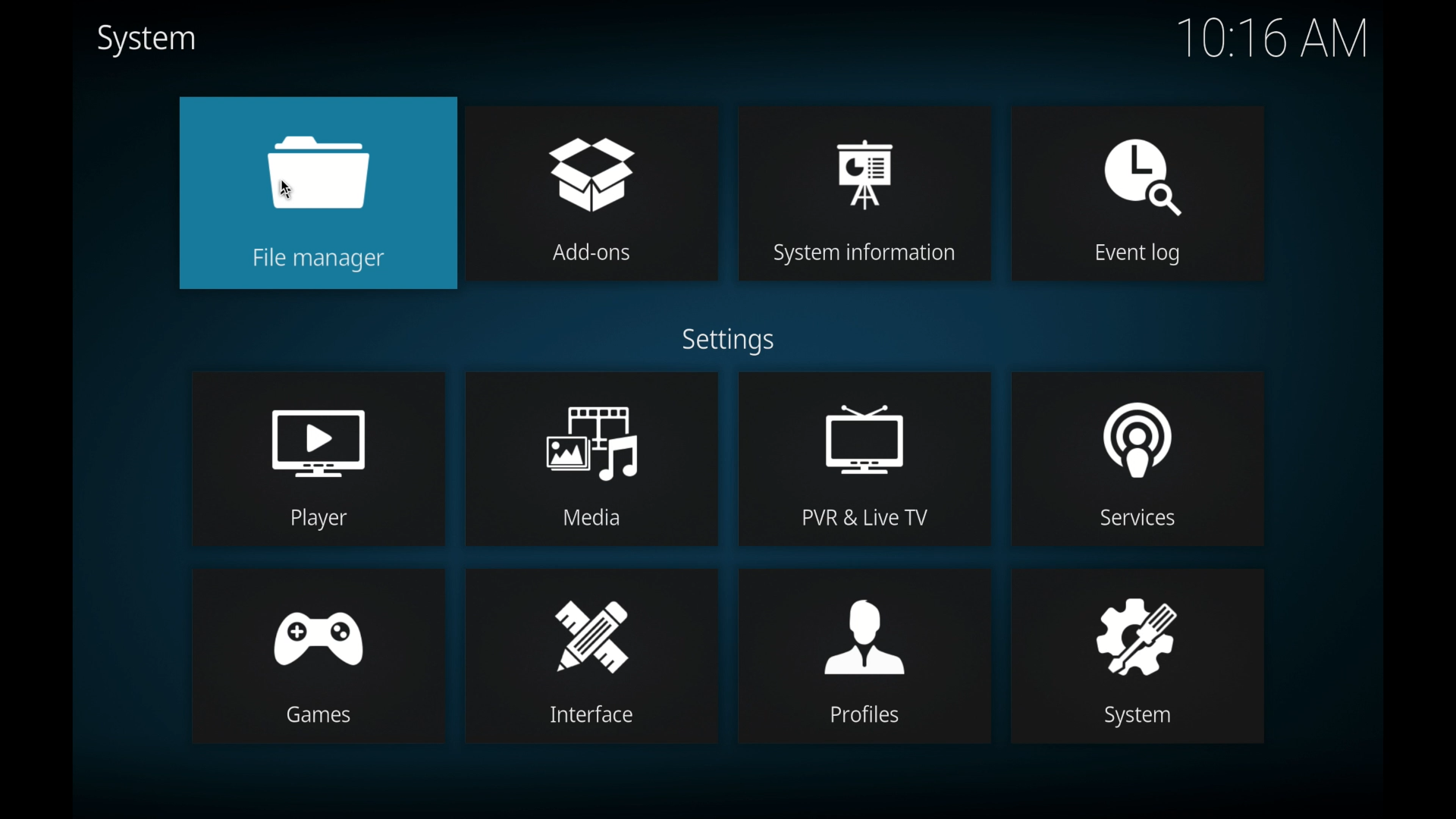 The image size is (1456, 819). Describe the element at coordinates (1137, 457) in the screenshot. I see `services` at that location.